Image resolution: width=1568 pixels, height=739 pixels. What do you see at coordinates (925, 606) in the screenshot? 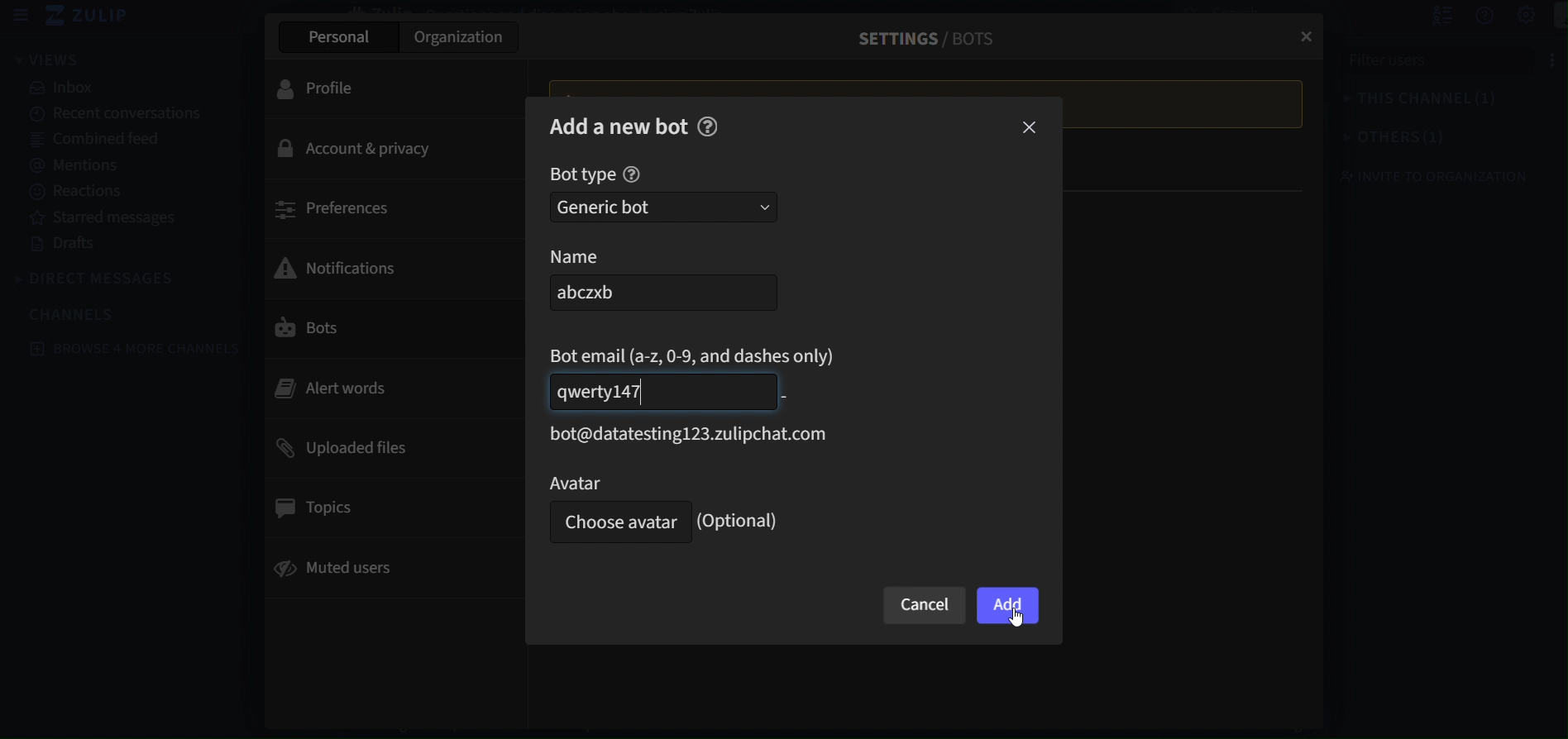
I see `cancel` at bounding box center [925, 606].